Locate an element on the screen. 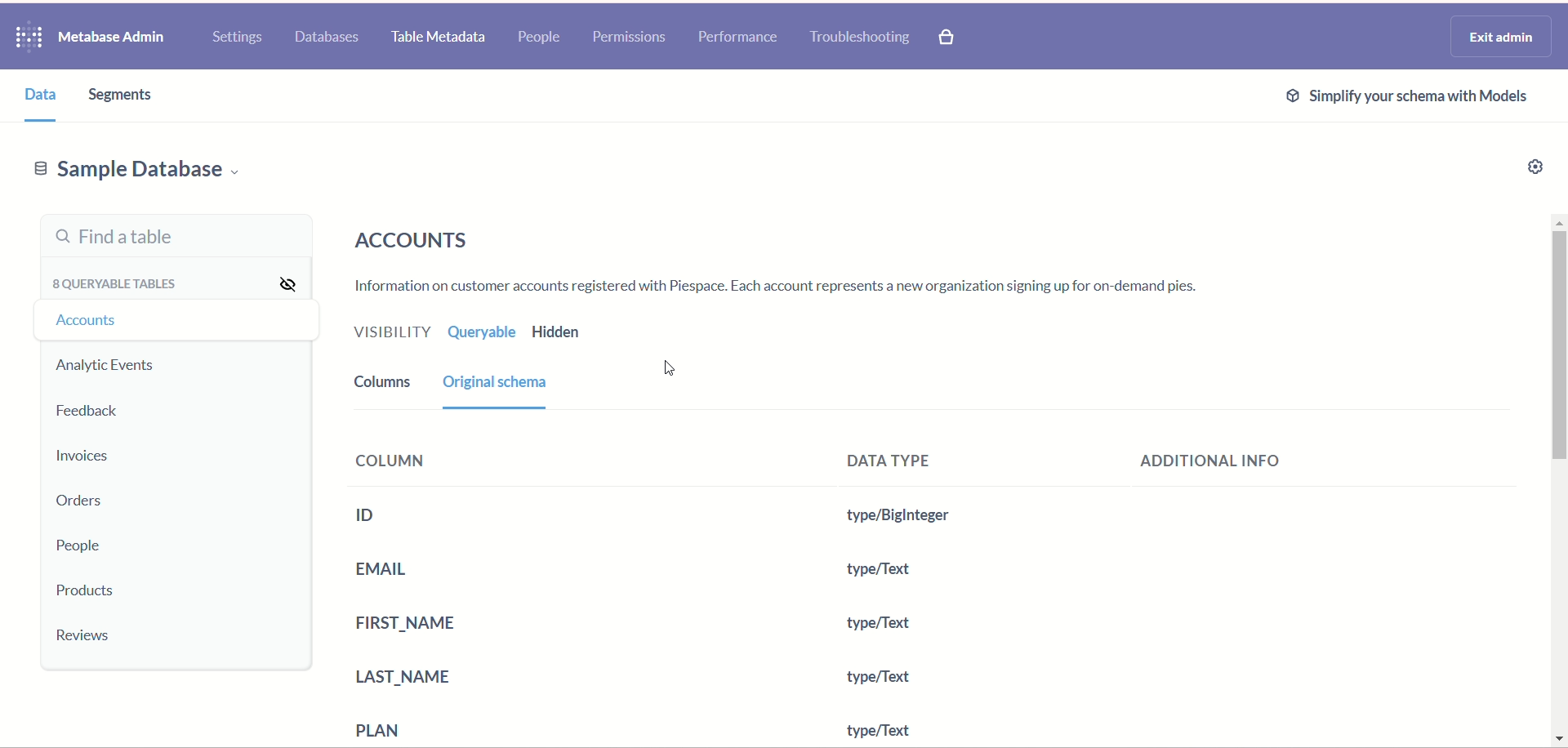 This screenshot has height=748, width=1568. type/Text is located at coordinates (881, 678).